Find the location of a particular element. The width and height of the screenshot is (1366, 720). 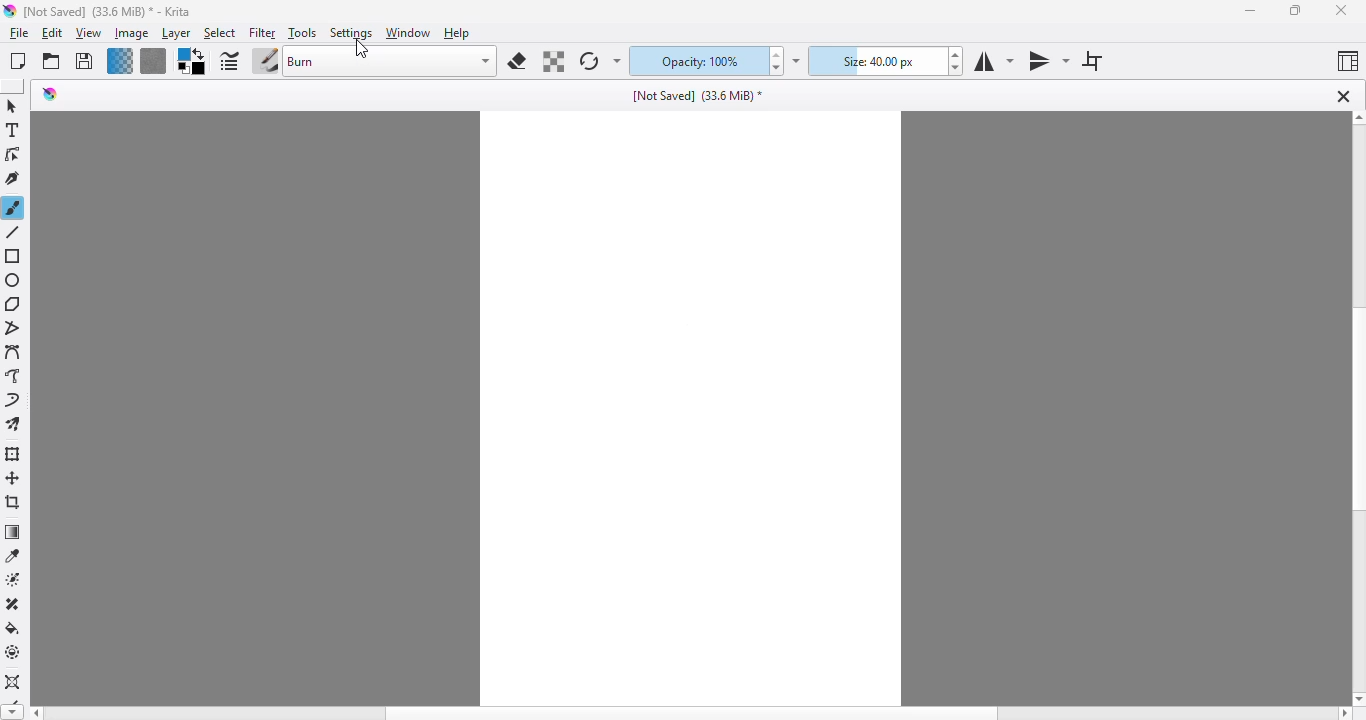

horizontal mirror tool is located at coordinates (992, 61).